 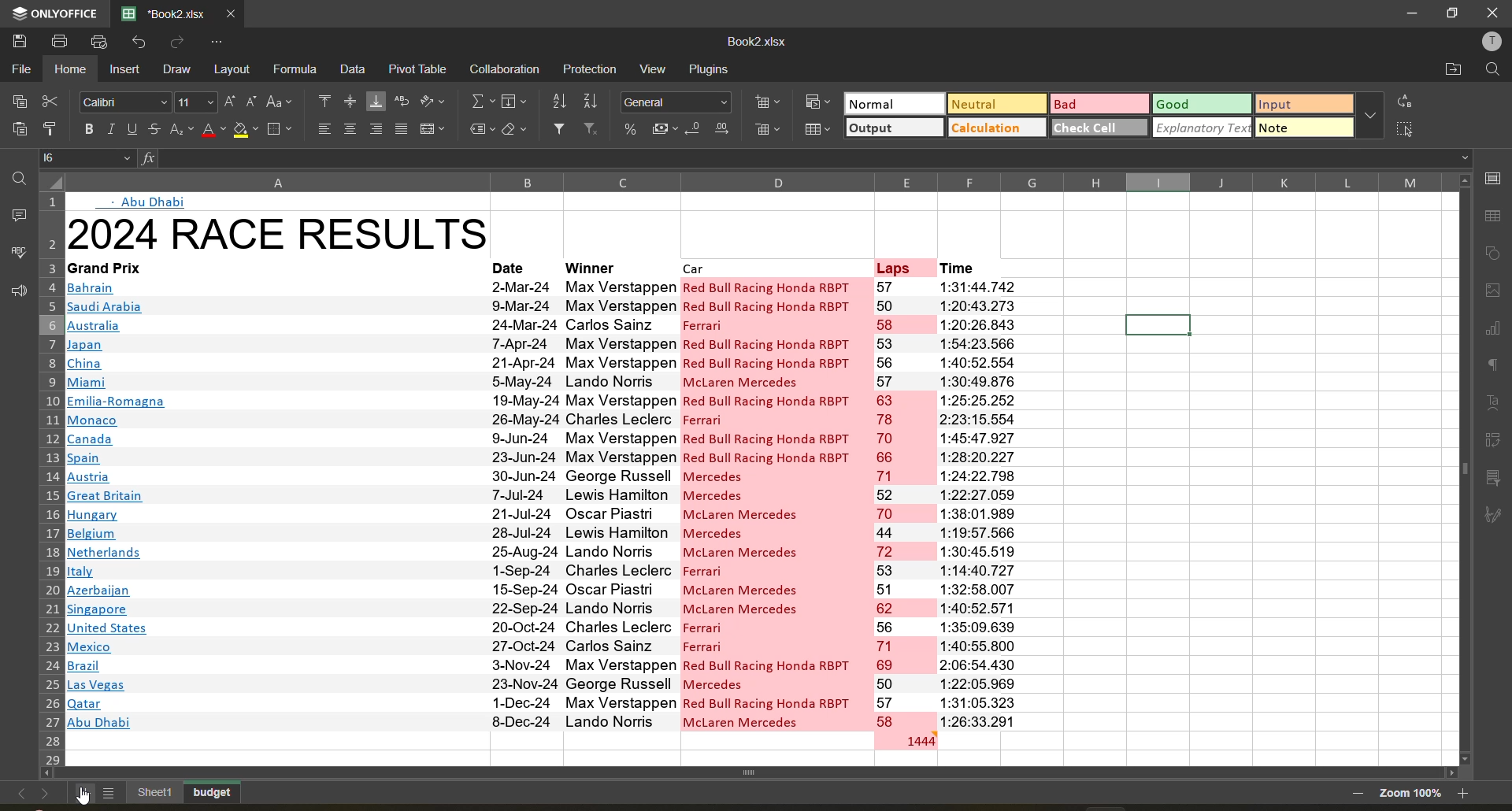 I want to click on slicer, so click(x=1494, y=478).